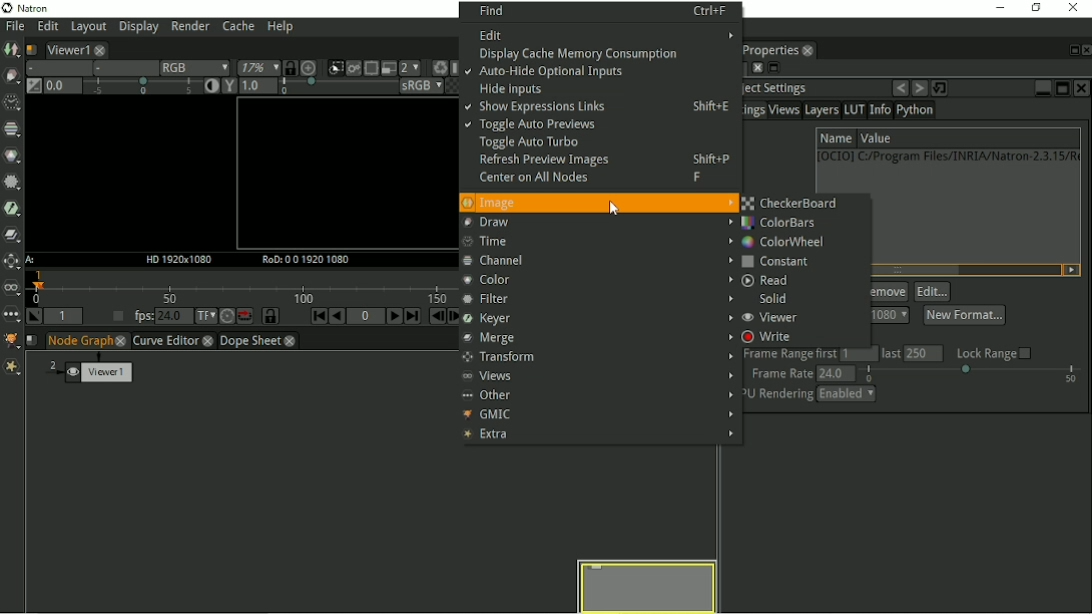 The width and height of the screenshot is (1092, 614). What do you see at coordinates (1075, 8) in the screenshot?
I see `Close` at bounding box center [1075, 8].